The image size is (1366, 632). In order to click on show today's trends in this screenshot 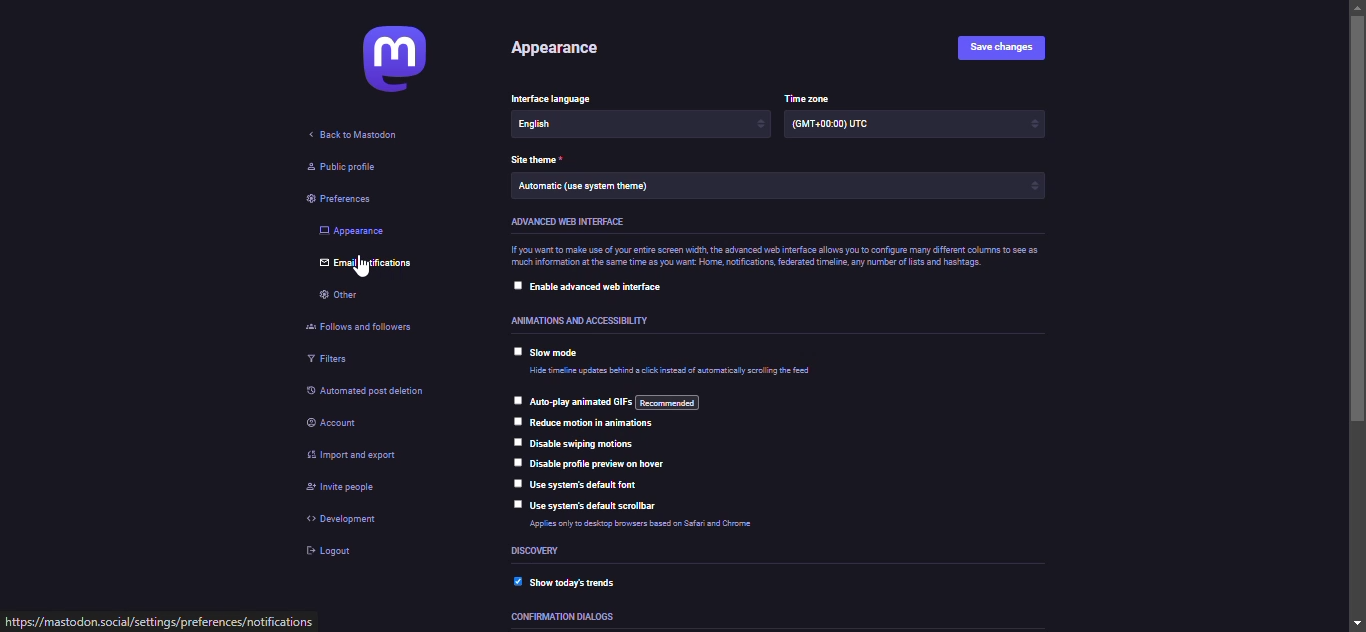, I will do `click(587, 582)`.